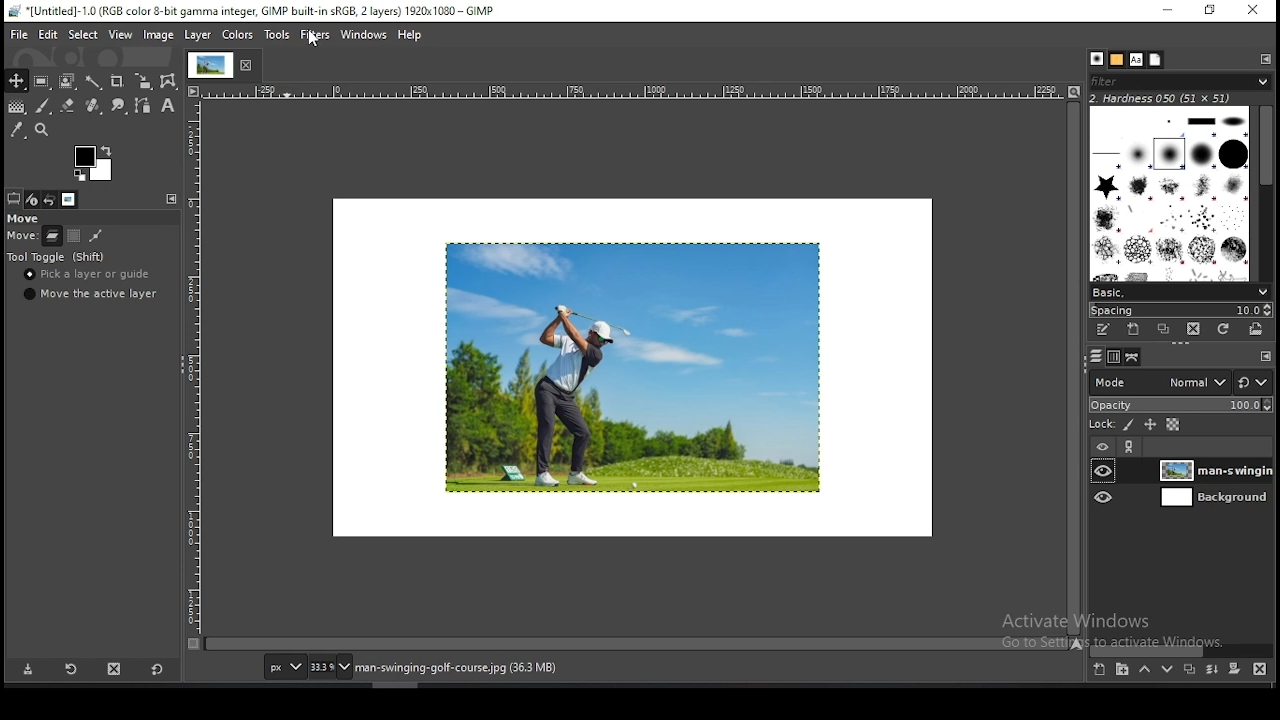 This screenshot has width=1280, height=720. What do you see at coordinates (1144, 669) in the screenshot?
I see `move layer one step up` at bounding box center [1144, 669].